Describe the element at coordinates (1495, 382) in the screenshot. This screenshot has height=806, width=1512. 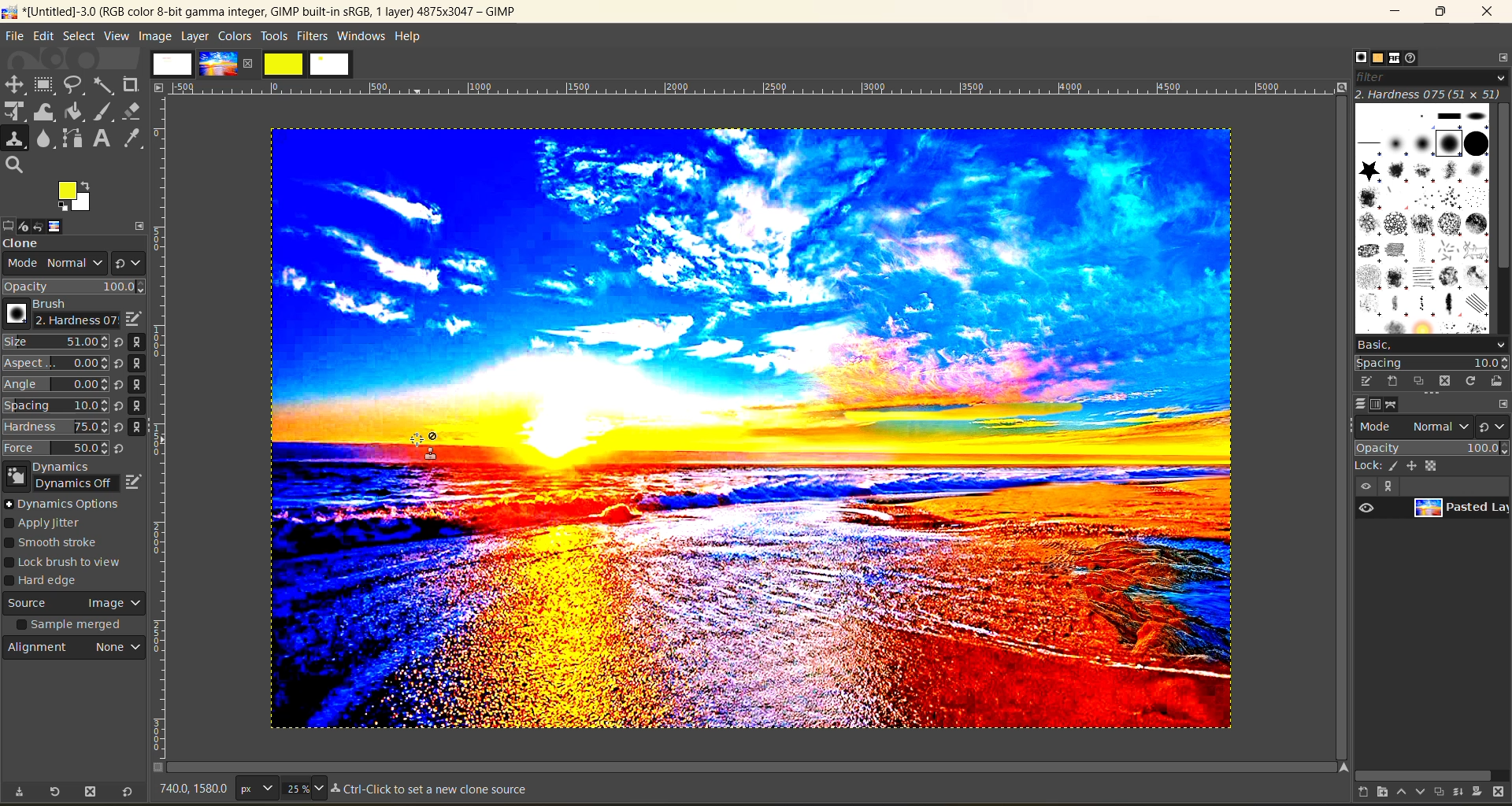
I see `open brush as image` at that location.